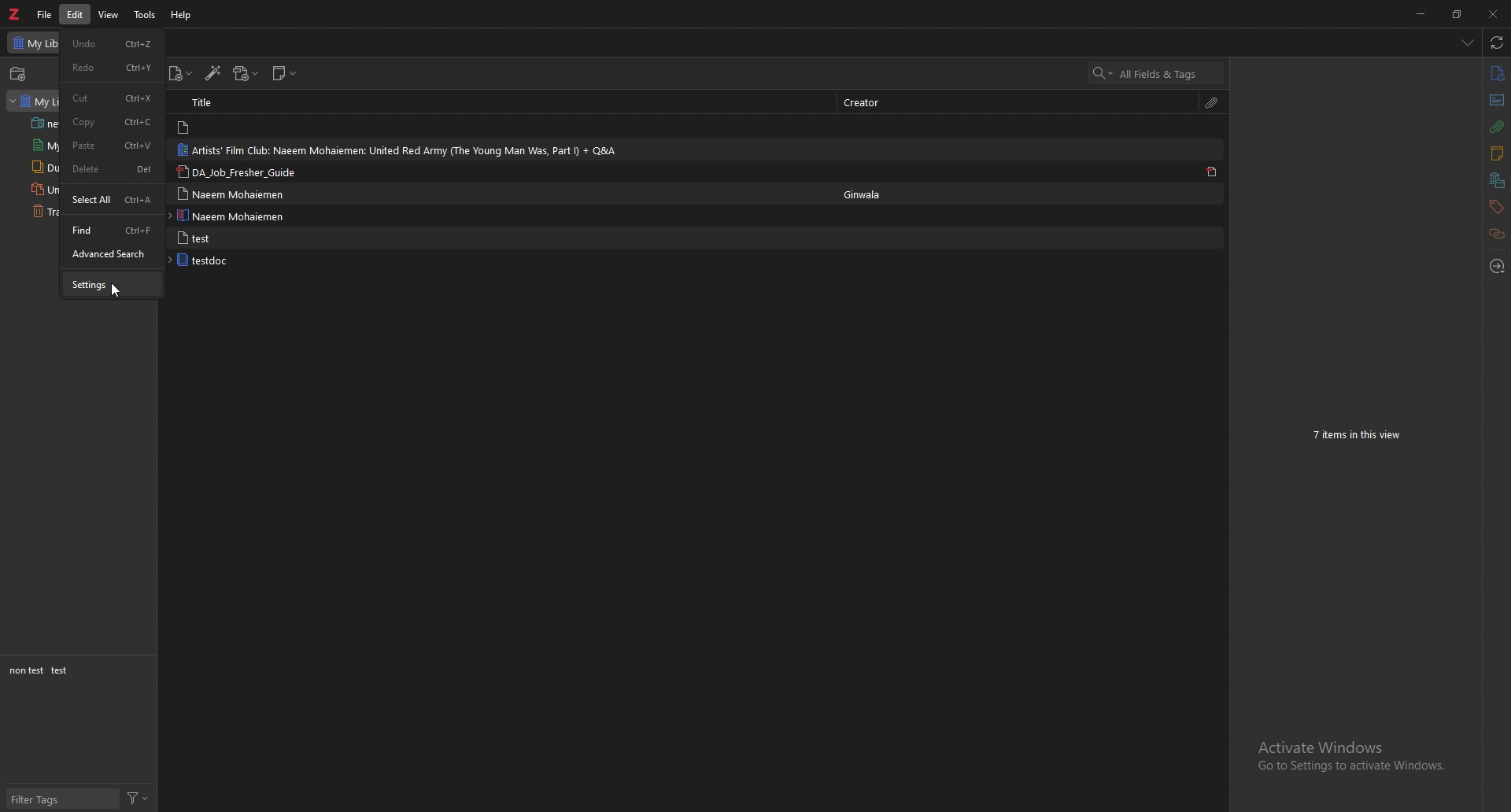 The image size is (1511, 812). I want to click on paste, so click(113, 146).